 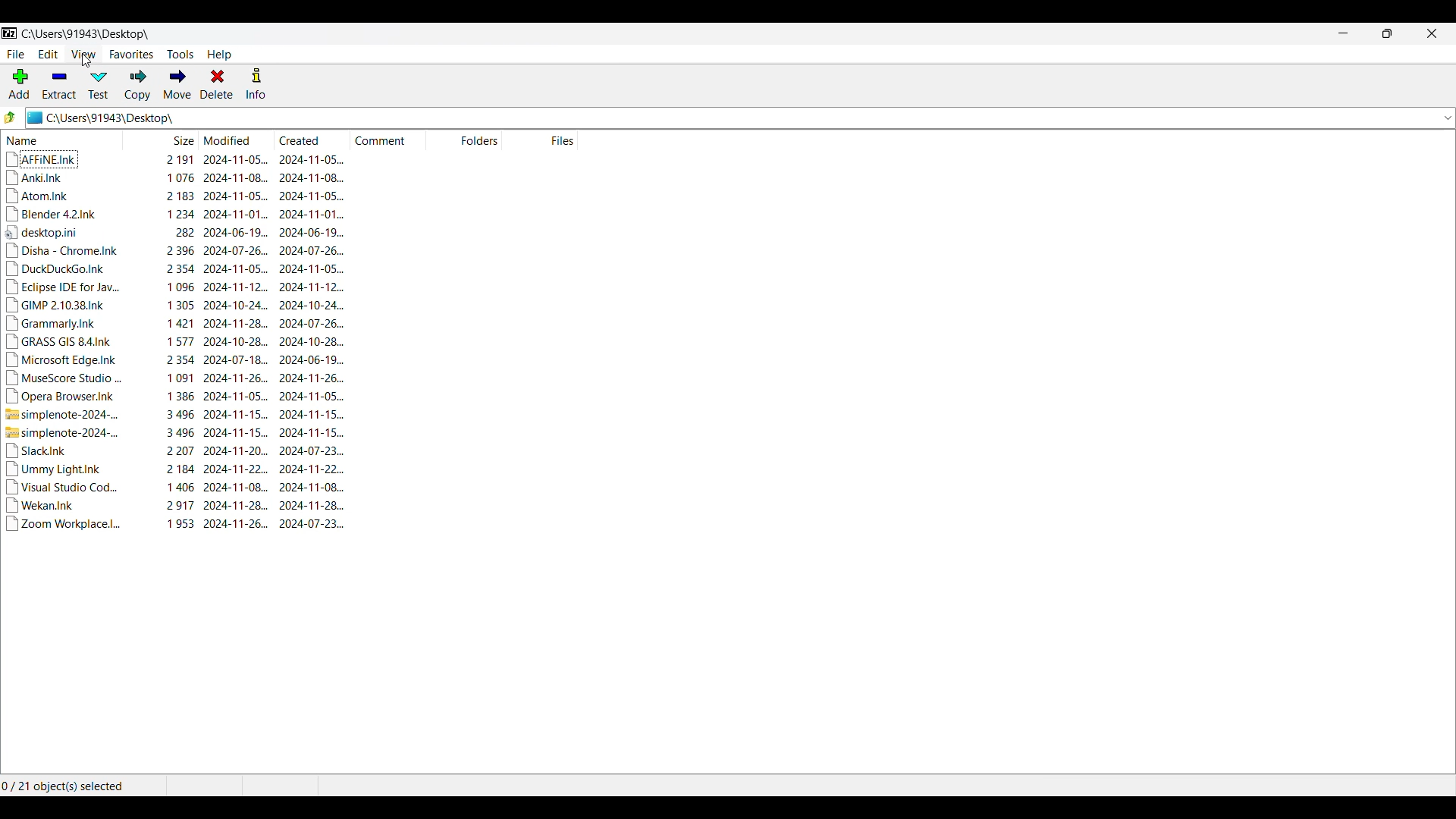 I want to click on Visual Studio Cod... 1406 2024-11-08.. 2024-11-08..., so click(x=180, y=487).